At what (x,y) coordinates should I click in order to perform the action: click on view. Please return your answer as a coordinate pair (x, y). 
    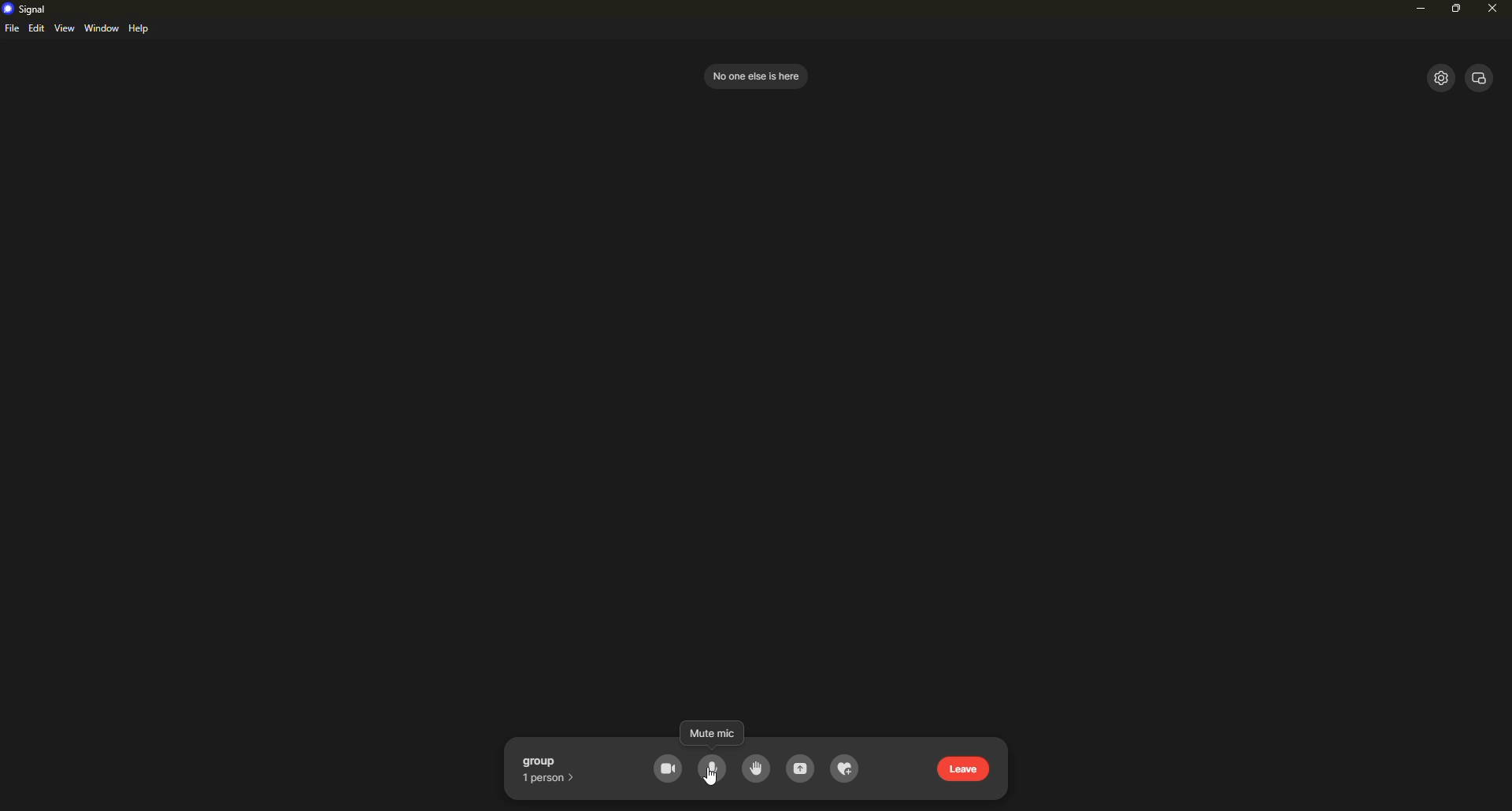
    Looking at the image, I should click on (1480, 76).